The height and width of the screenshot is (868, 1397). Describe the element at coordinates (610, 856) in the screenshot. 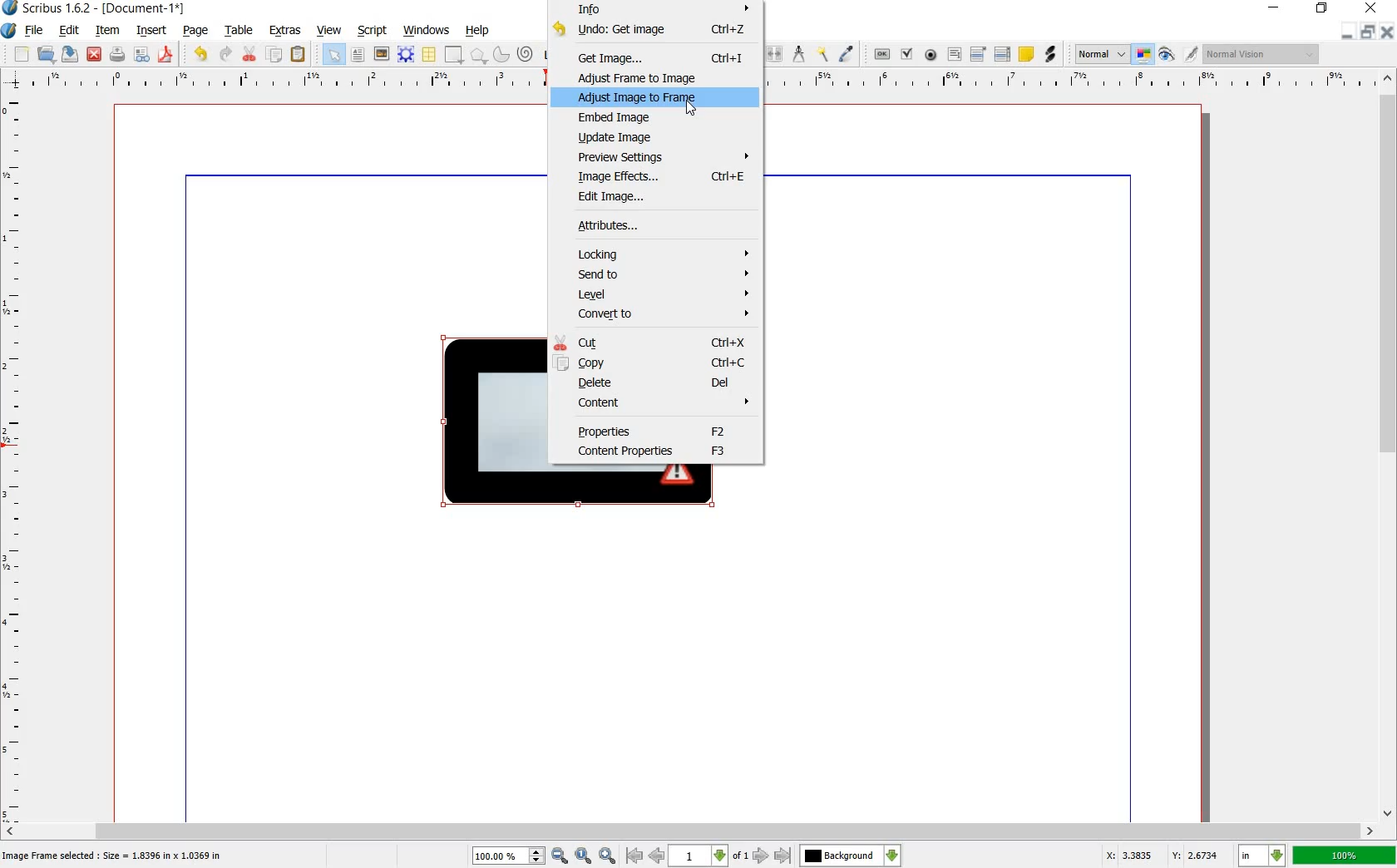

I see `Zoom out` at that location.